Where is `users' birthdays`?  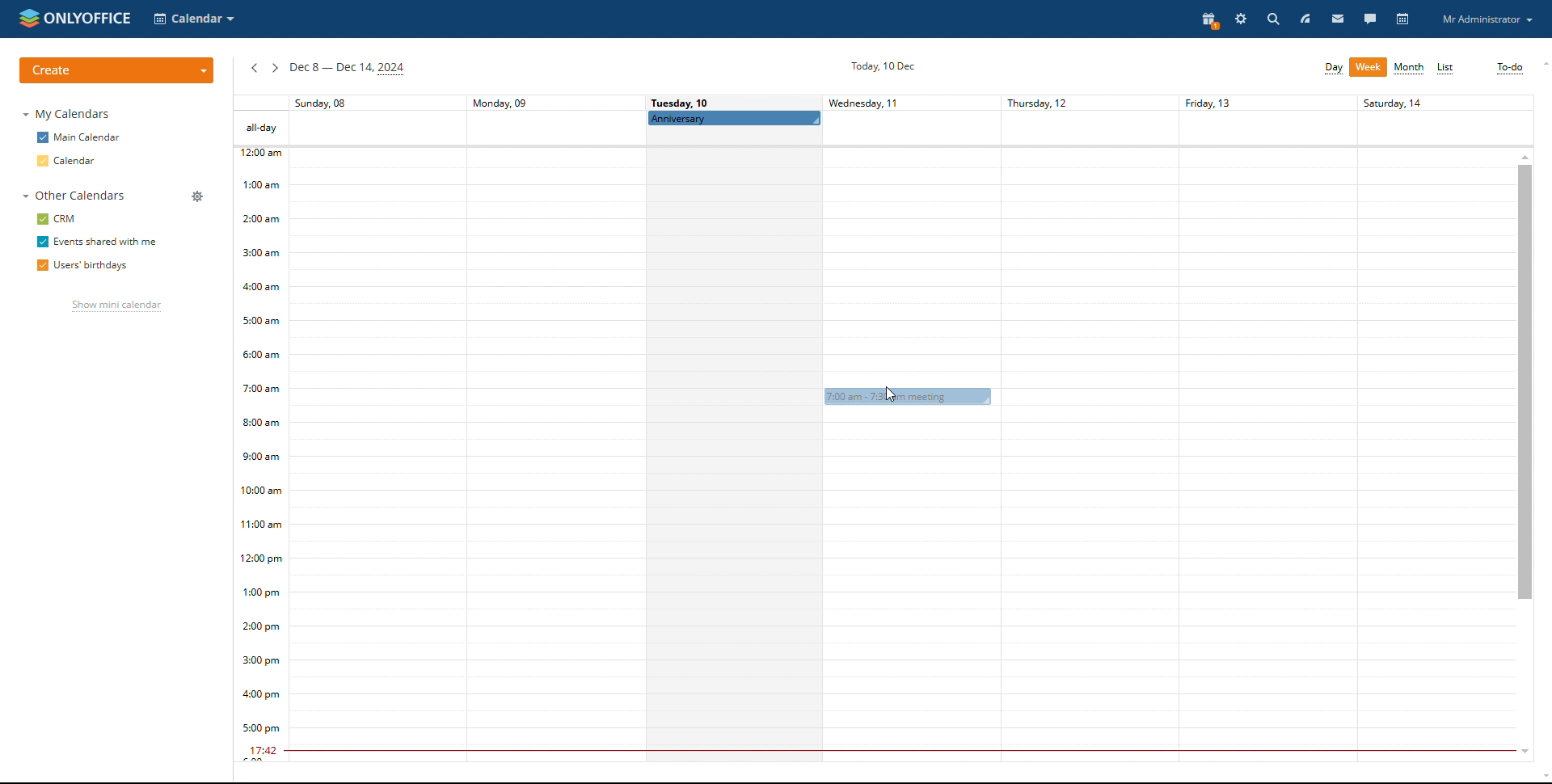 users' birthdays is located at coordinates (82, 266).